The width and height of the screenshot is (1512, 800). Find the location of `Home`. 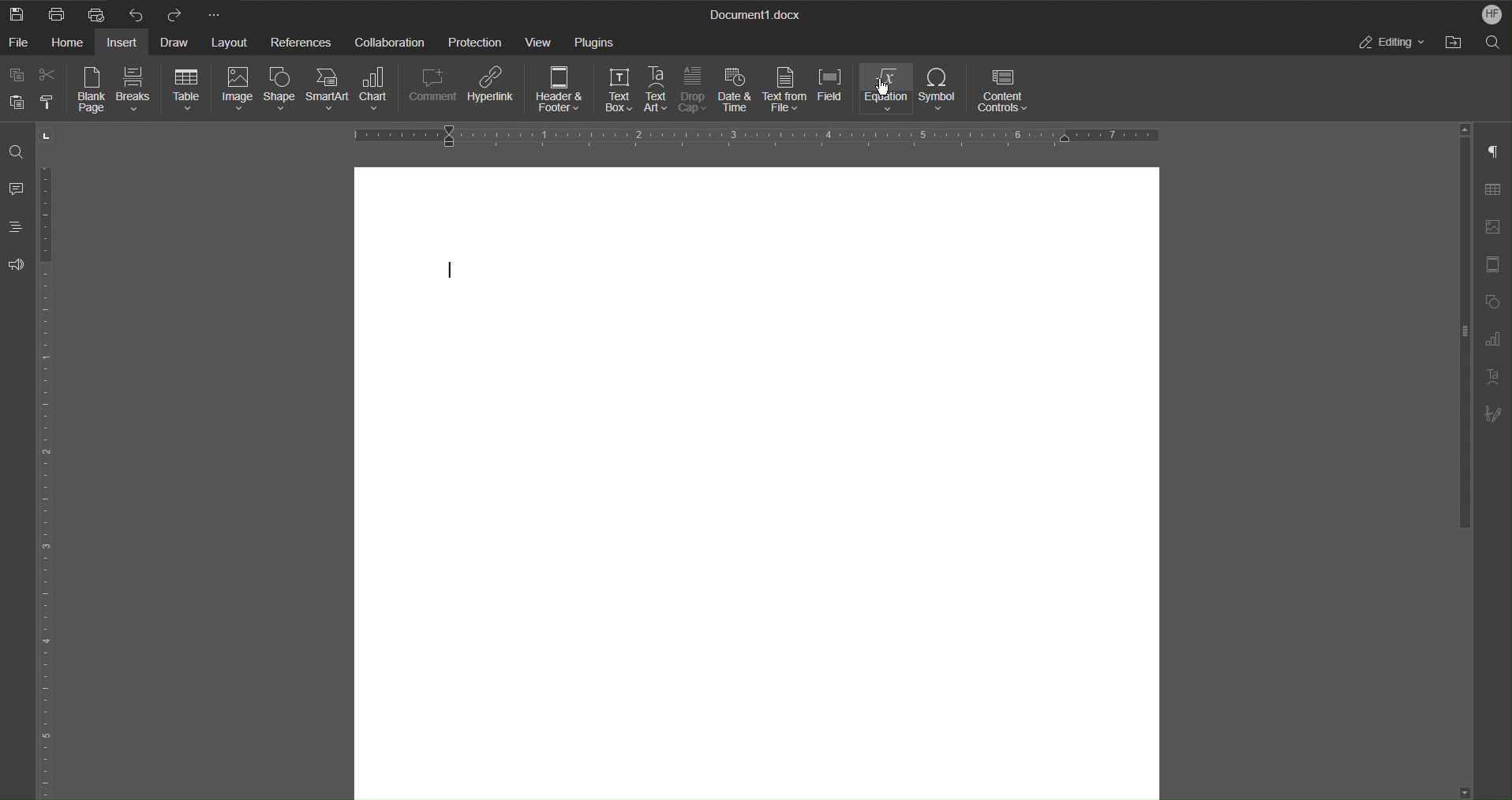

Home is located at coordinates (69, 43).